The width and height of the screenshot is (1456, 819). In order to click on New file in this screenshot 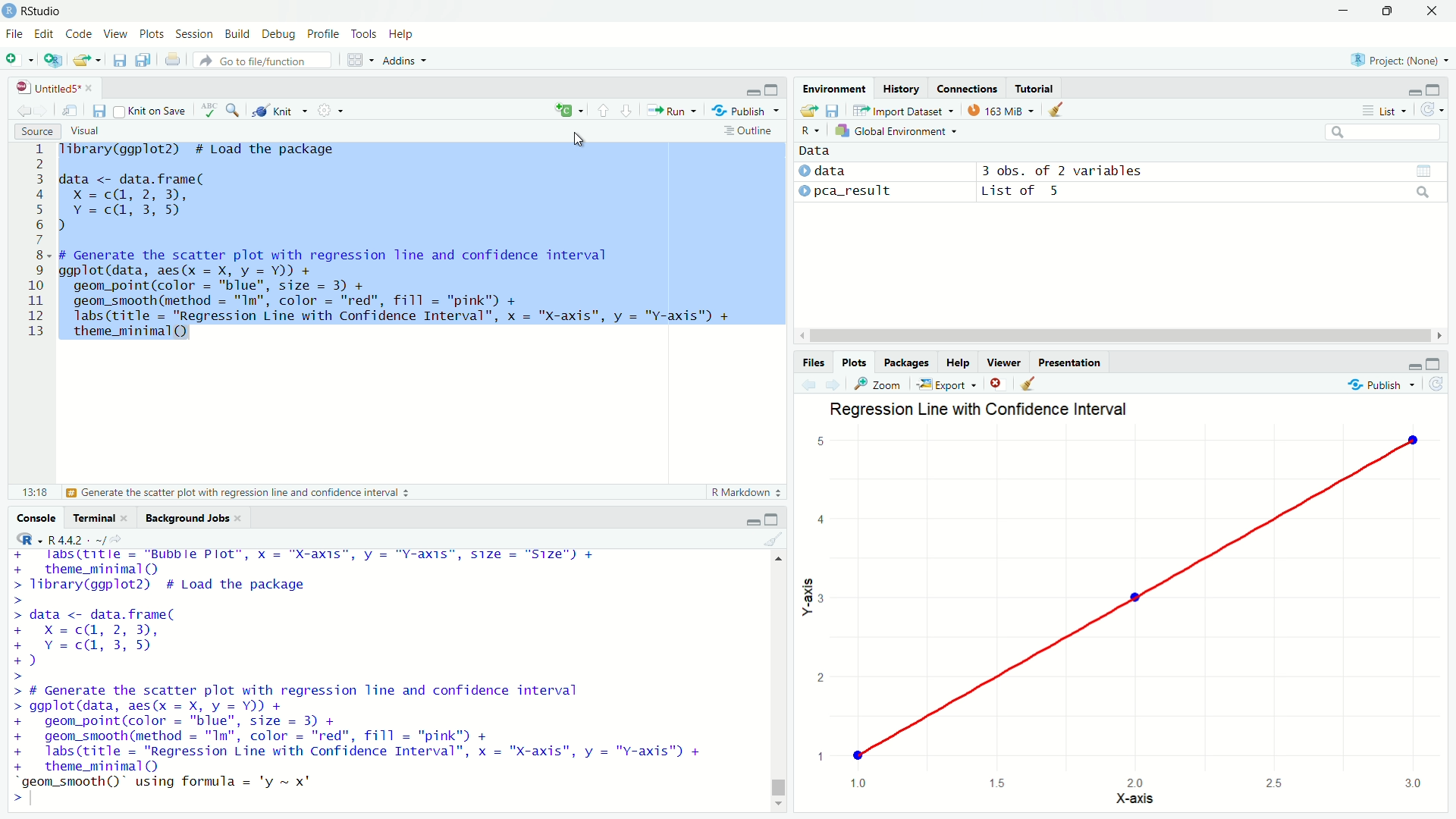, I will do `click(18, 58)`.